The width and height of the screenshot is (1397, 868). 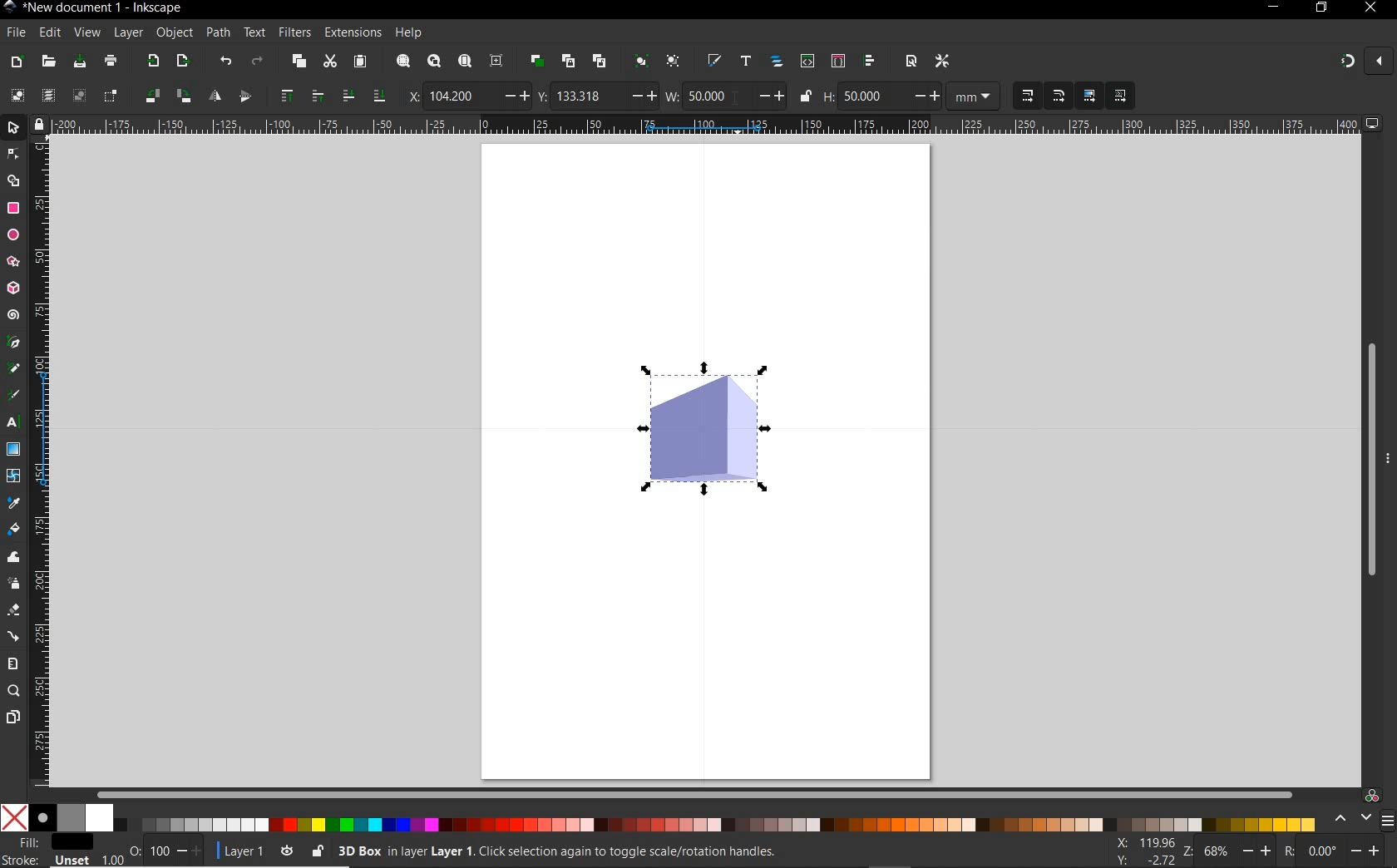 What do you see at coordinates (434, 60) in the screenshot?
I see `zoom drawing` at bounding box center [434, 60].